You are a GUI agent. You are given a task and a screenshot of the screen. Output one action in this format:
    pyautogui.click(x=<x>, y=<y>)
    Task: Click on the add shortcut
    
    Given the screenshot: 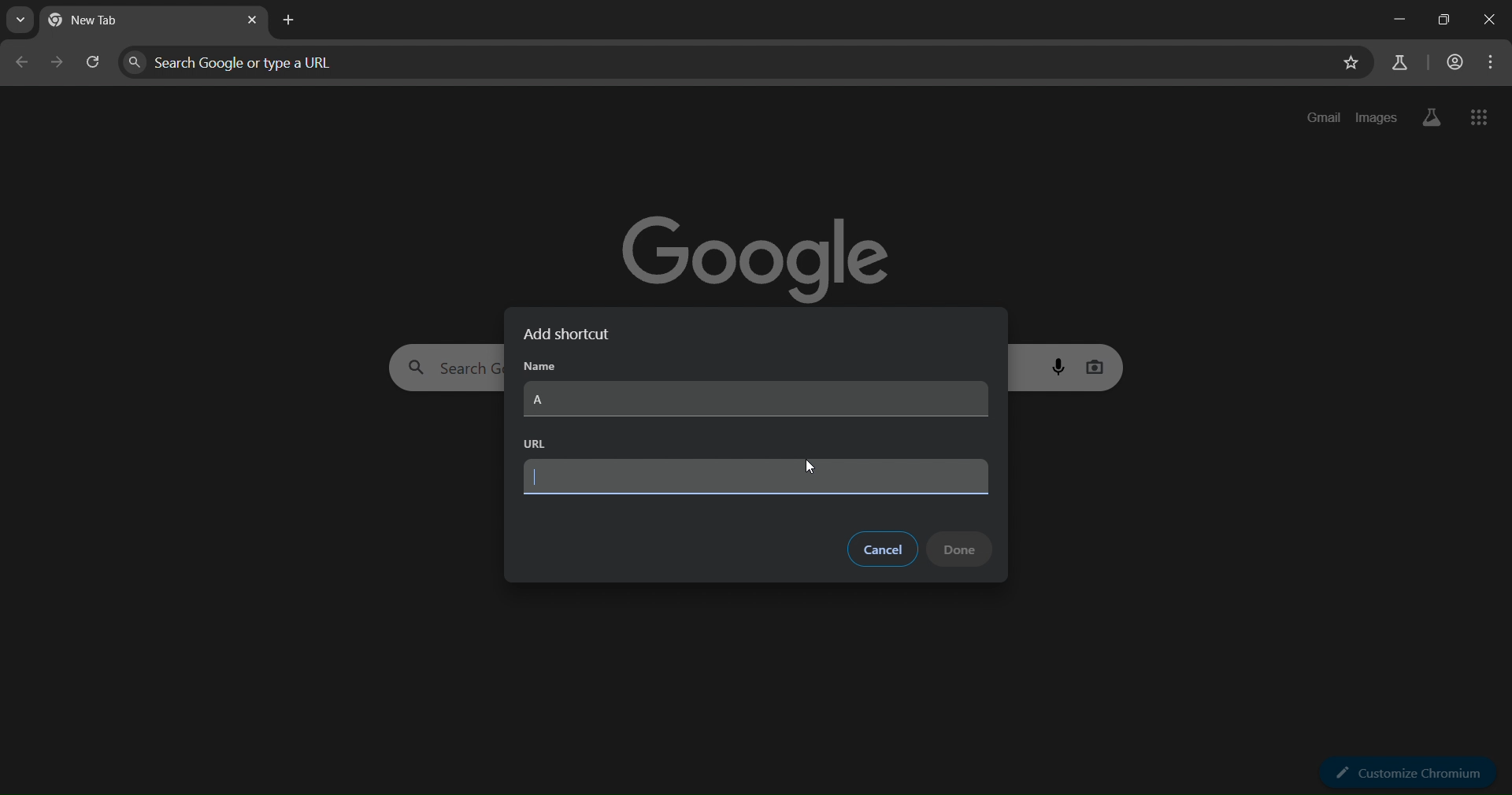 What is the action you would take?
    pyautogui.click(x=574, y=335)
    